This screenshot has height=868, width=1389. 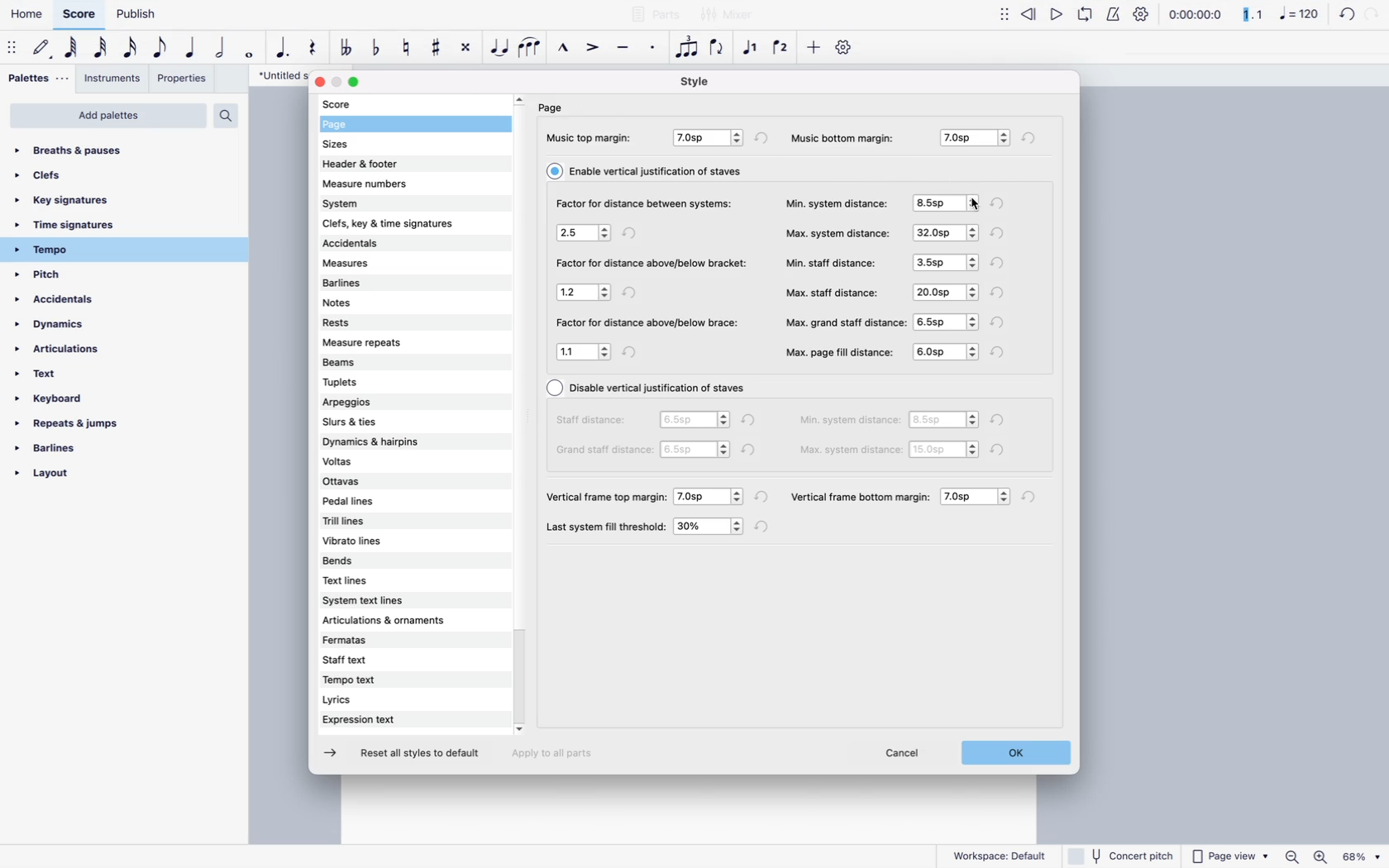 What do you see at coordinates (381, 681) in the screenshot?
I see `tempo text` at bounding box center [381, 681].